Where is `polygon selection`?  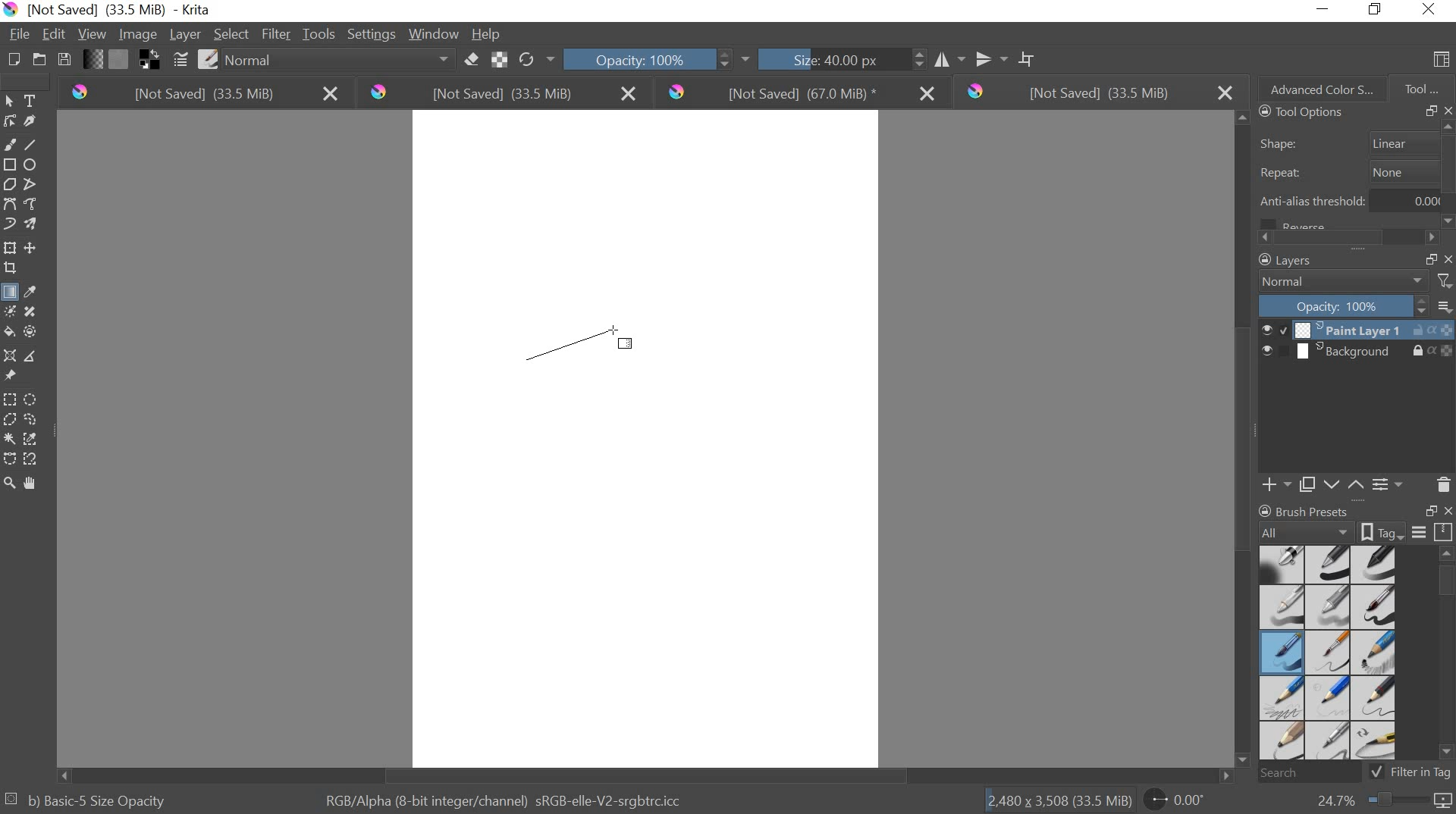 polygon selection is located at coordinates (9, 420).